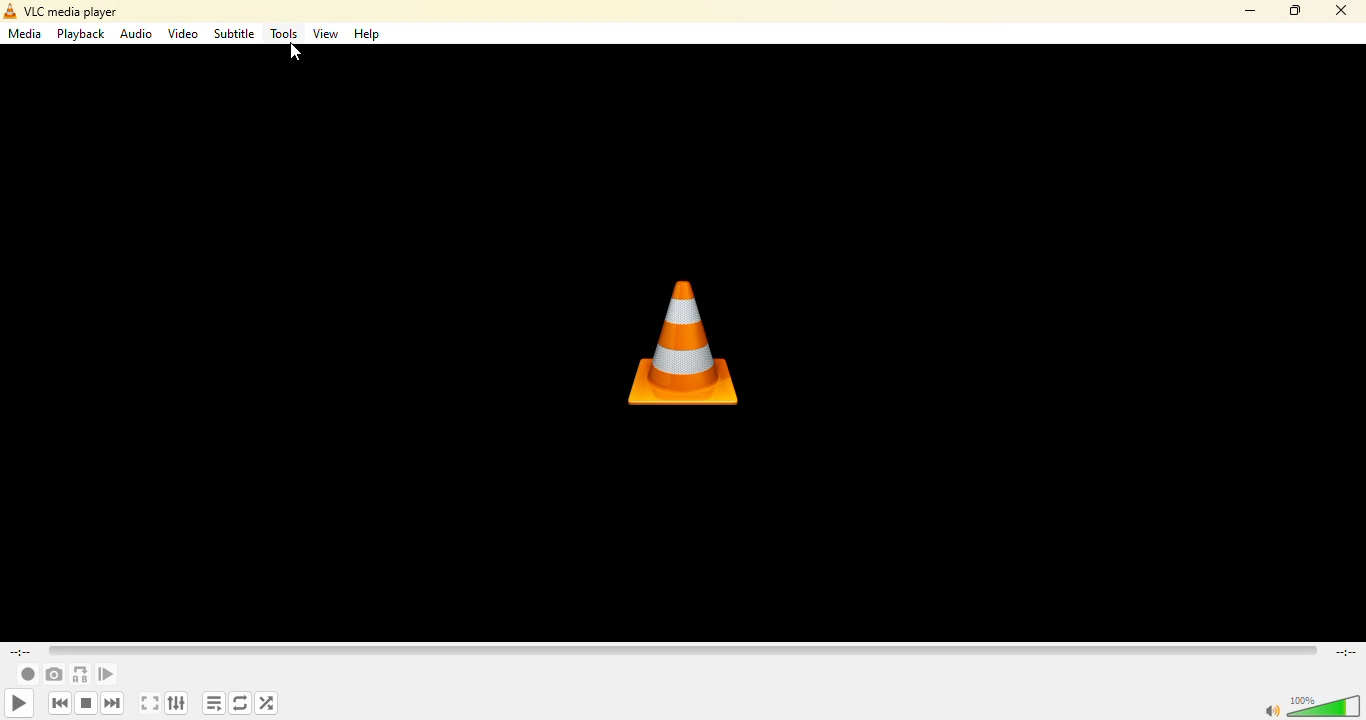 The height and width of the screenshot is (720, 1366). I want to click on help, so click(367, 36).